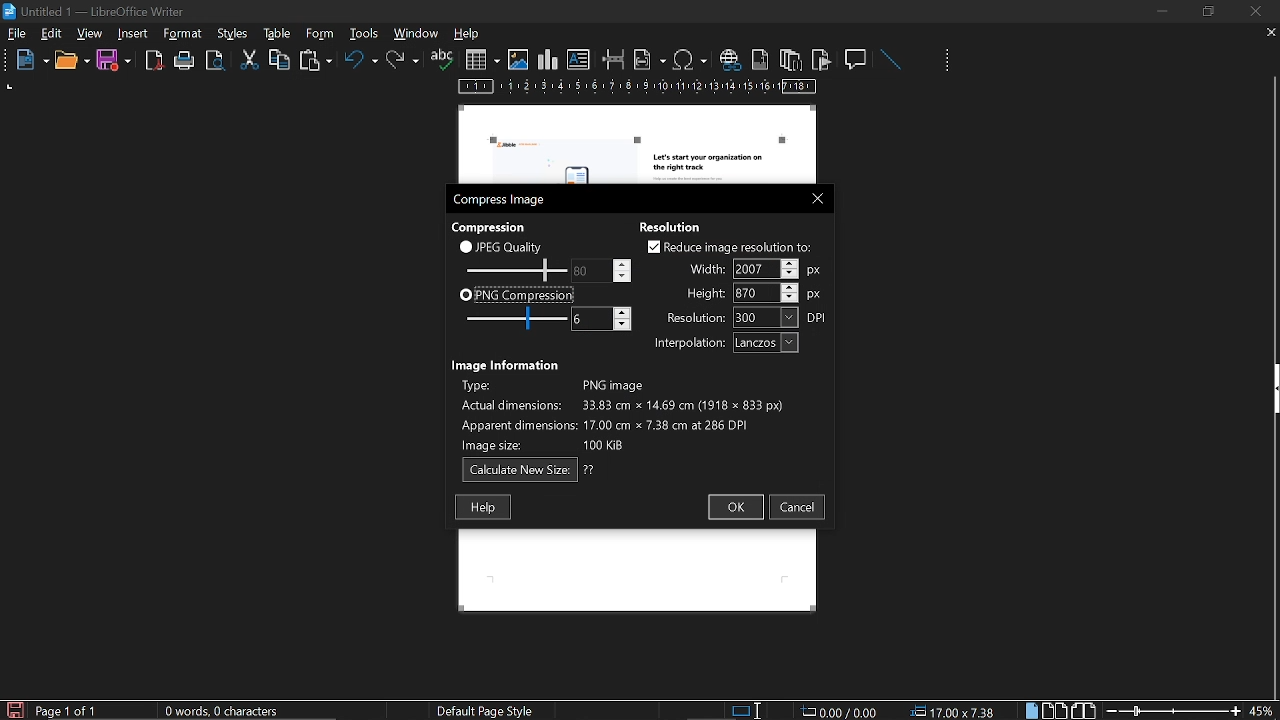 This screenshot has height=720, width=1280. Describe the element at coordinates (813, 197) in the screenshot. I see `close` at that location.